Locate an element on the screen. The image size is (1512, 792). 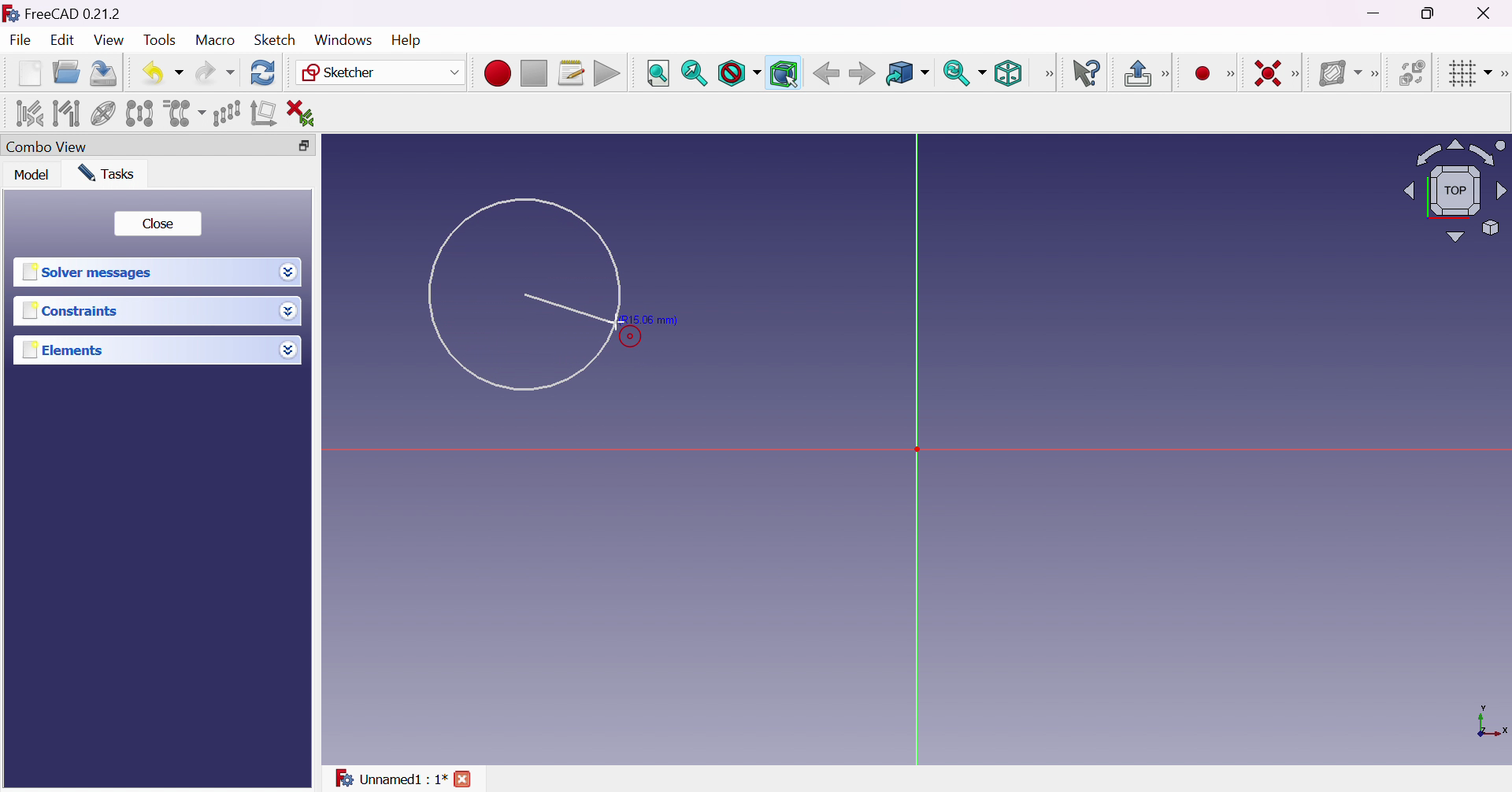
Forward is located at coordinates (862, 75).